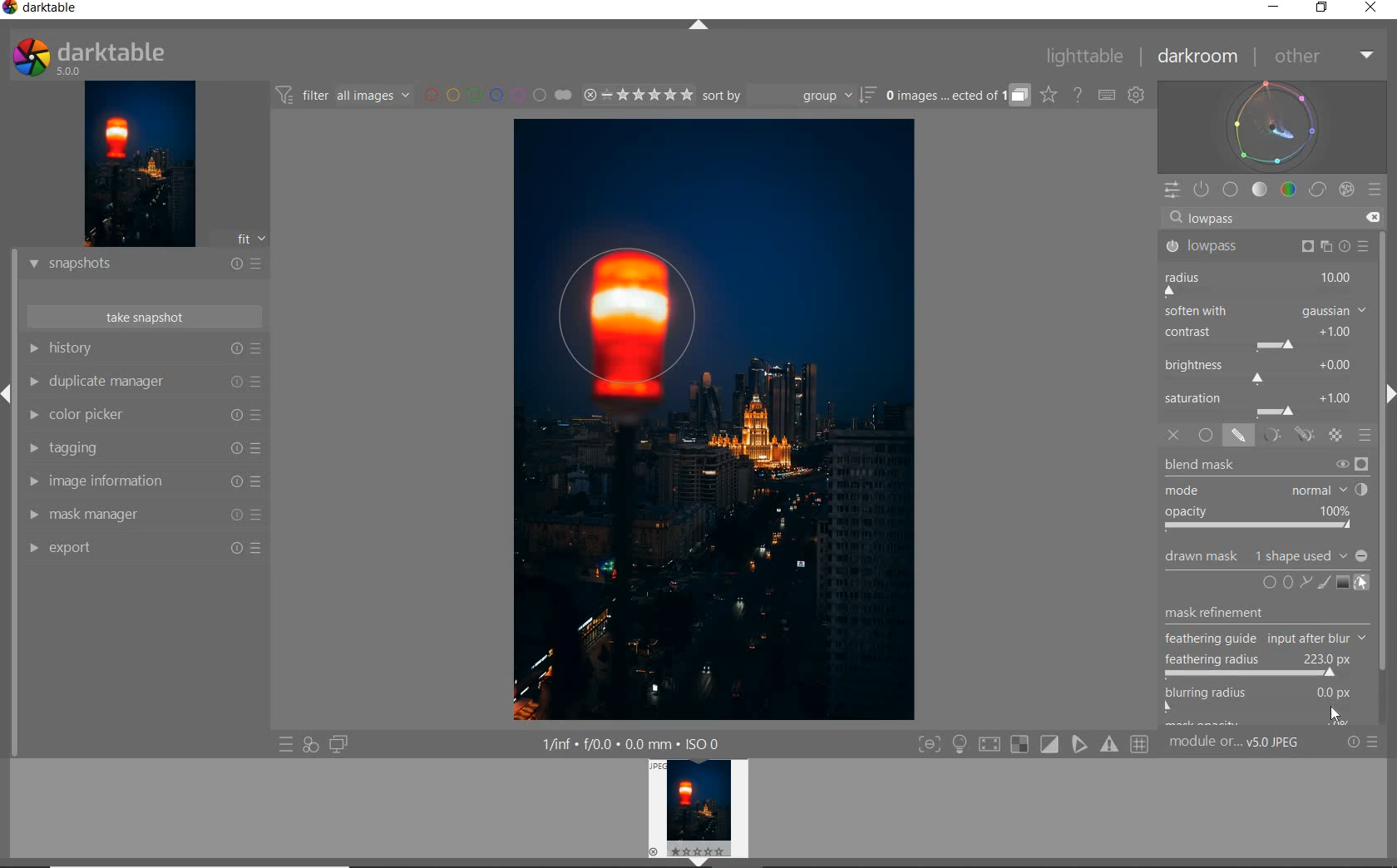  What do you see at coordinates (1263, 282) in the screenshot?
I see `RADIUS` at bounding box center [1263, 282].